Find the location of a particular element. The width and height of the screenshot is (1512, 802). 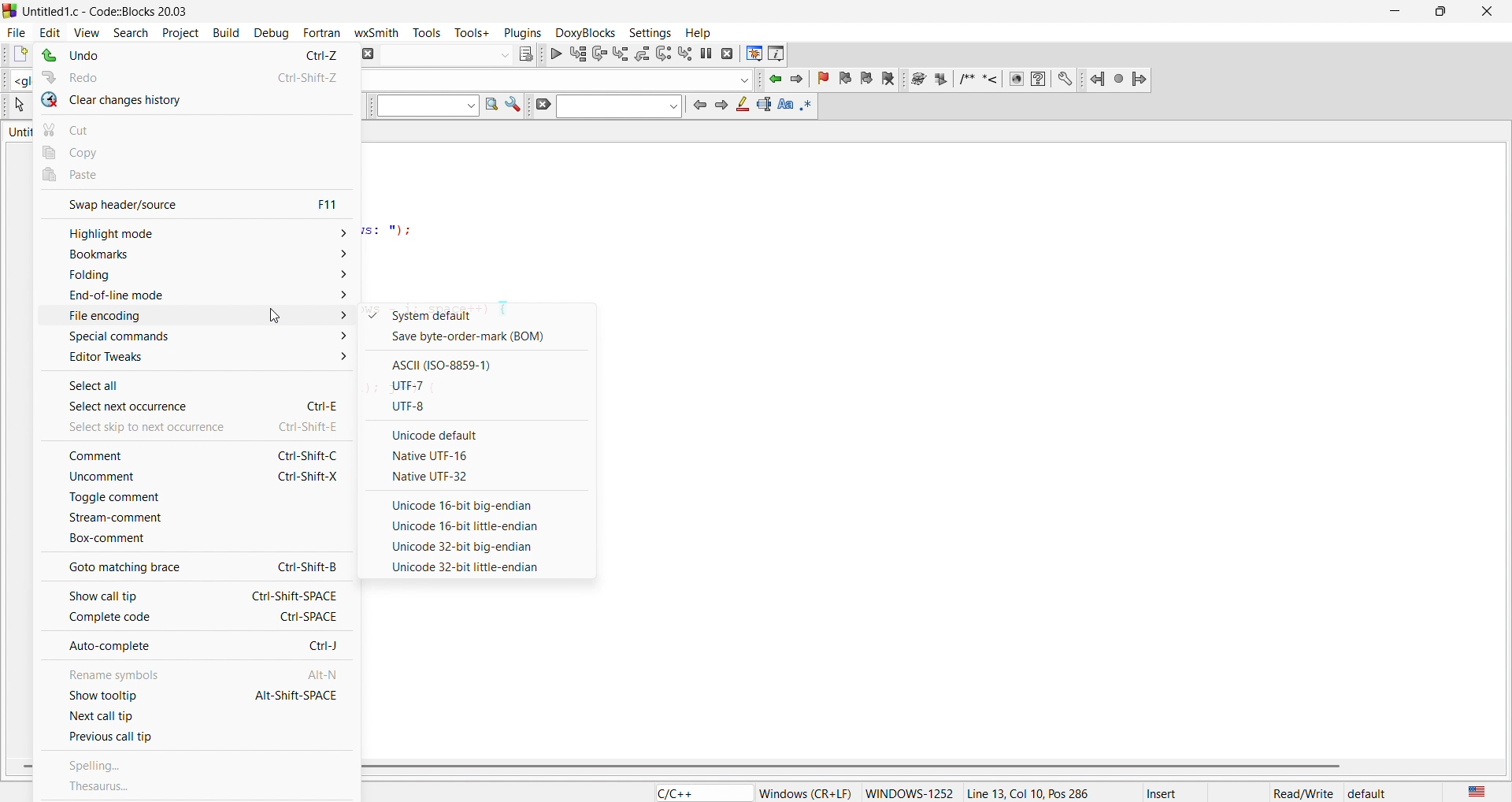

ABORT is located at coordinates (370, 55).